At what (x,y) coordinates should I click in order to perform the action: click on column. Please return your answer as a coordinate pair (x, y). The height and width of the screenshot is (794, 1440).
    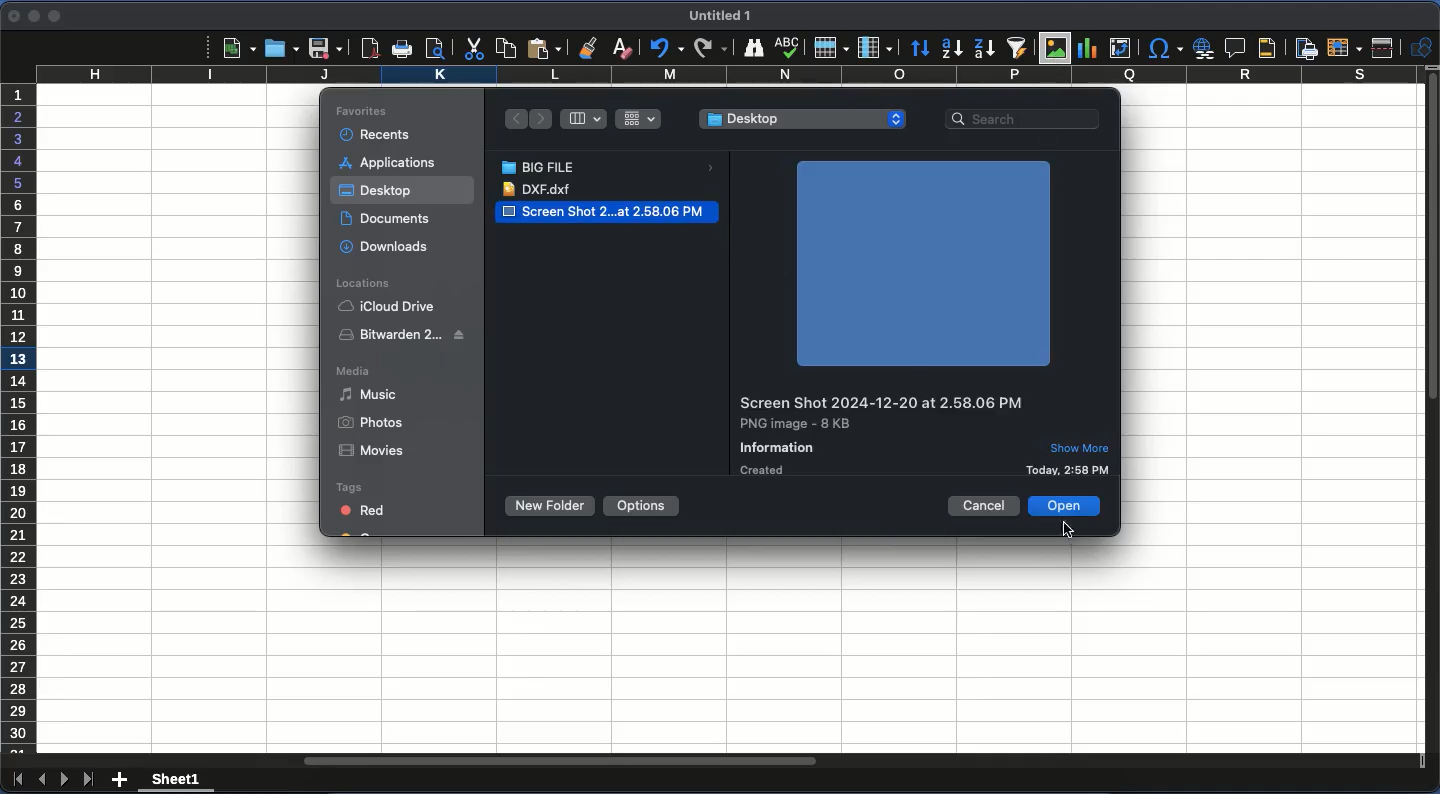
    Looking at the image, I should click on (875, 48).